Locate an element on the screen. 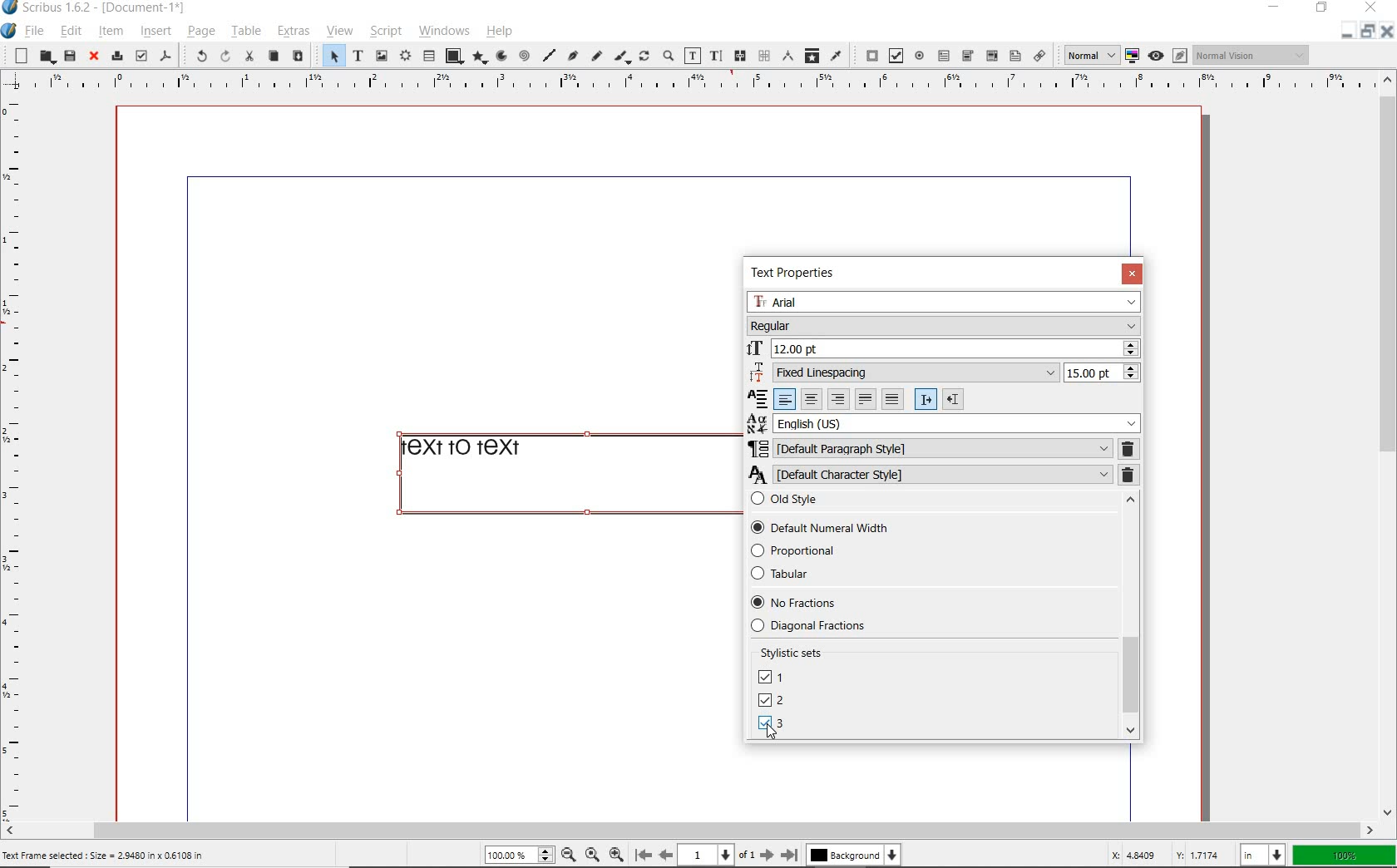 The height and width of the screenshot is (868, 1397). TEXT PROPERTIES is located at coordinates (799, 273).